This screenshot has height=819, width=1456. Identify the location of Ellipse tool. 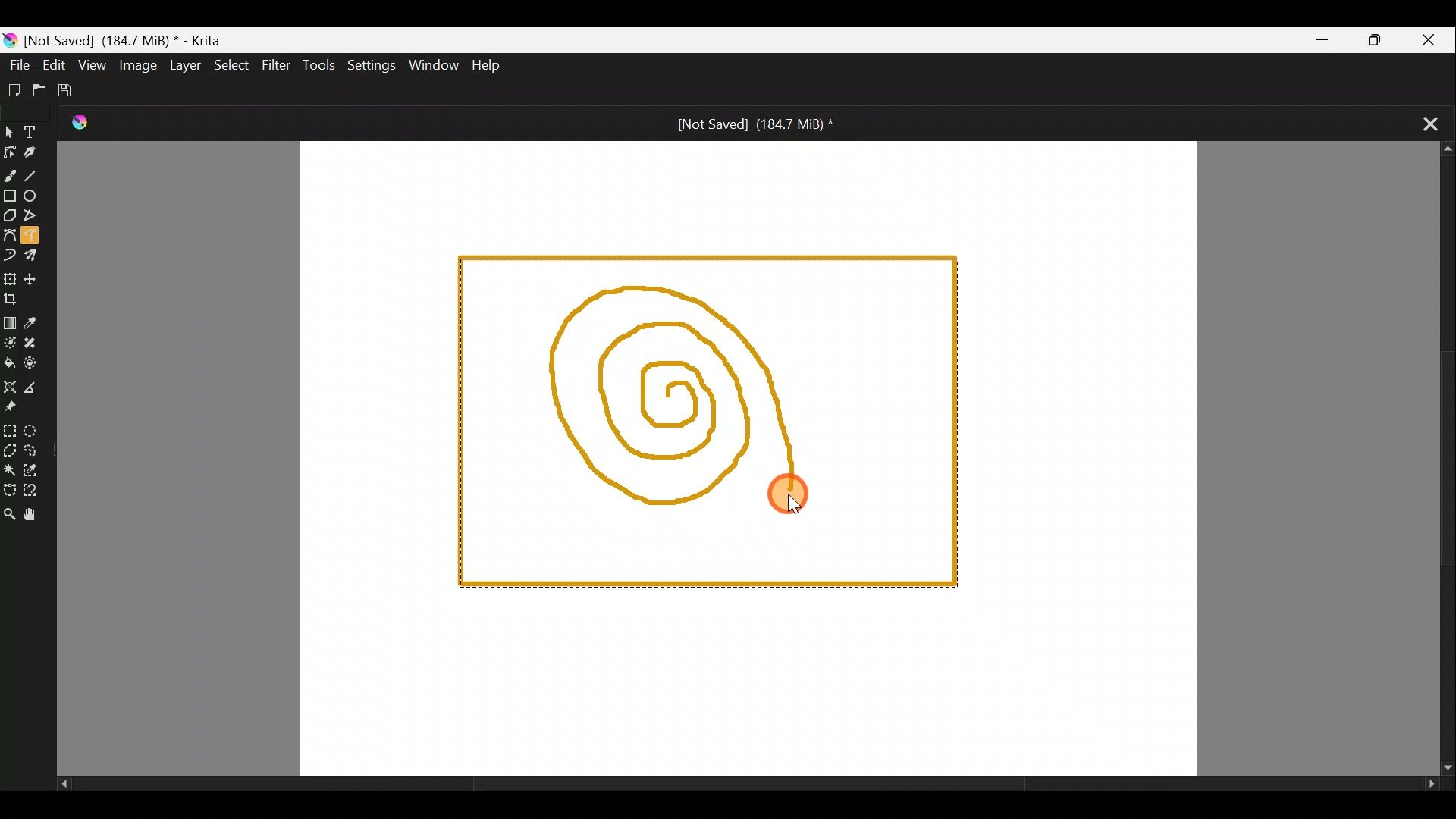
(37, 197).